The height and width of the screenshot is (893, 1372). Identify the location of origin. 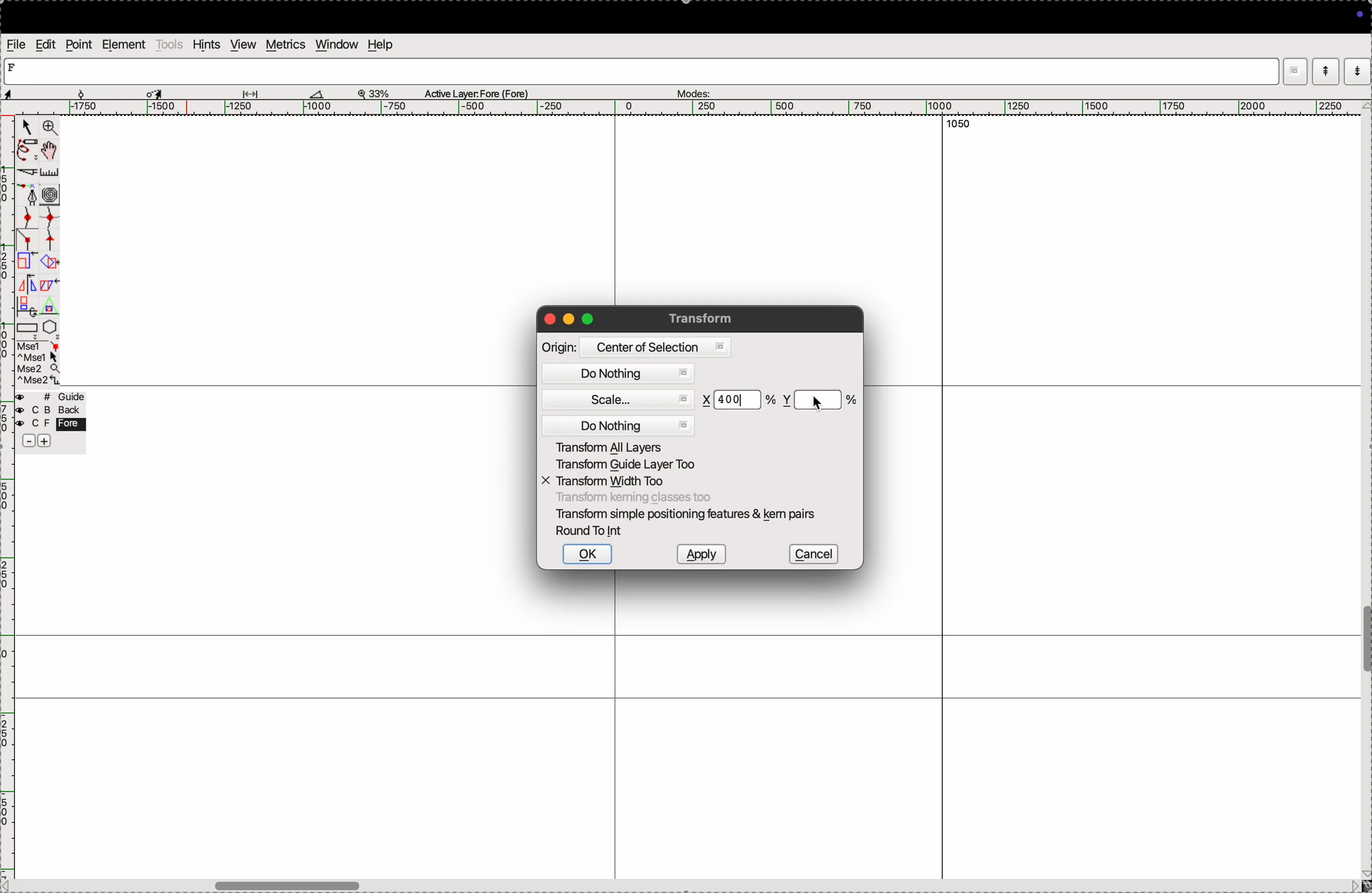
(559, 347).